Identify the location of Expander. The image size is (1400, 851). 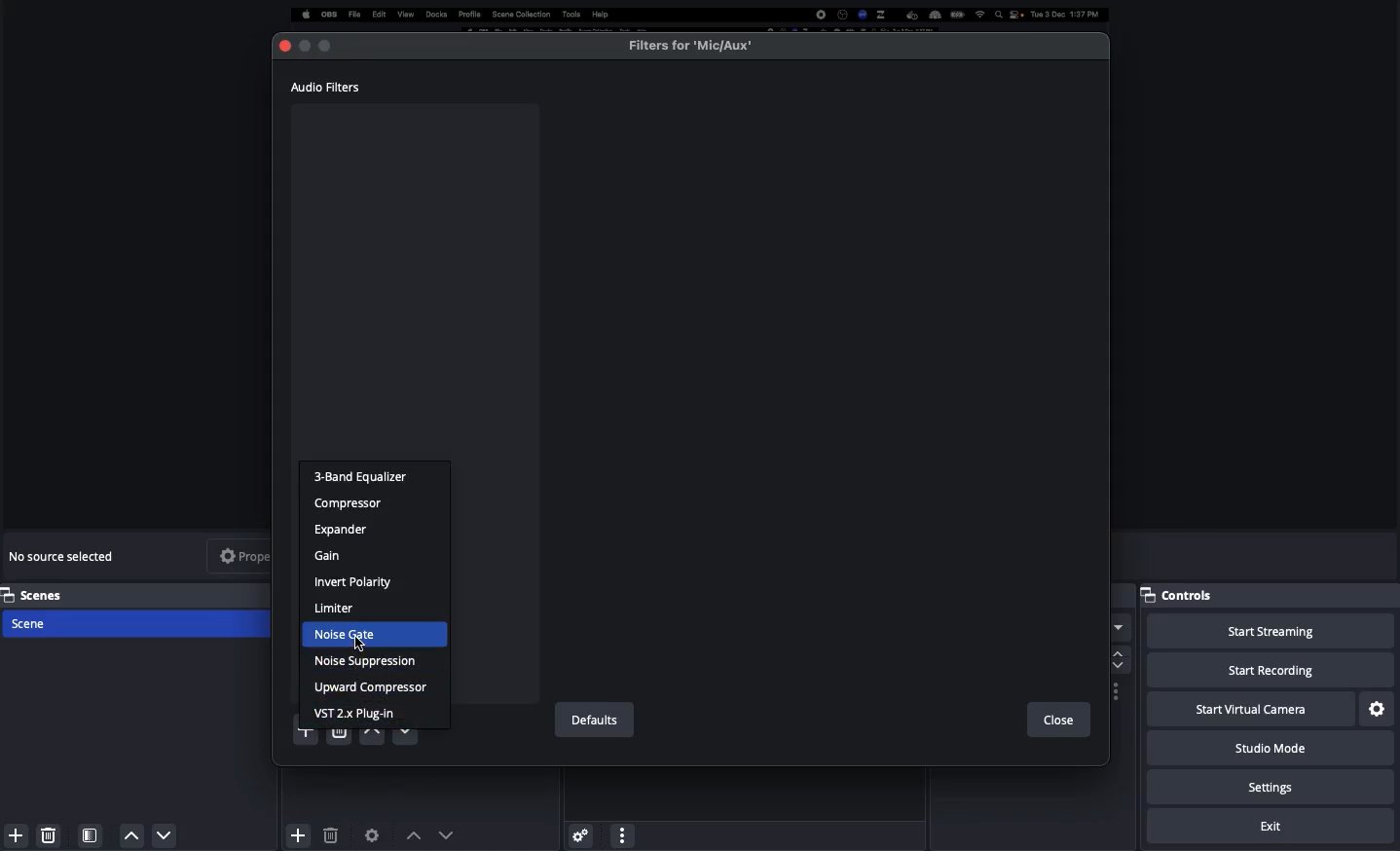
(343, 529).